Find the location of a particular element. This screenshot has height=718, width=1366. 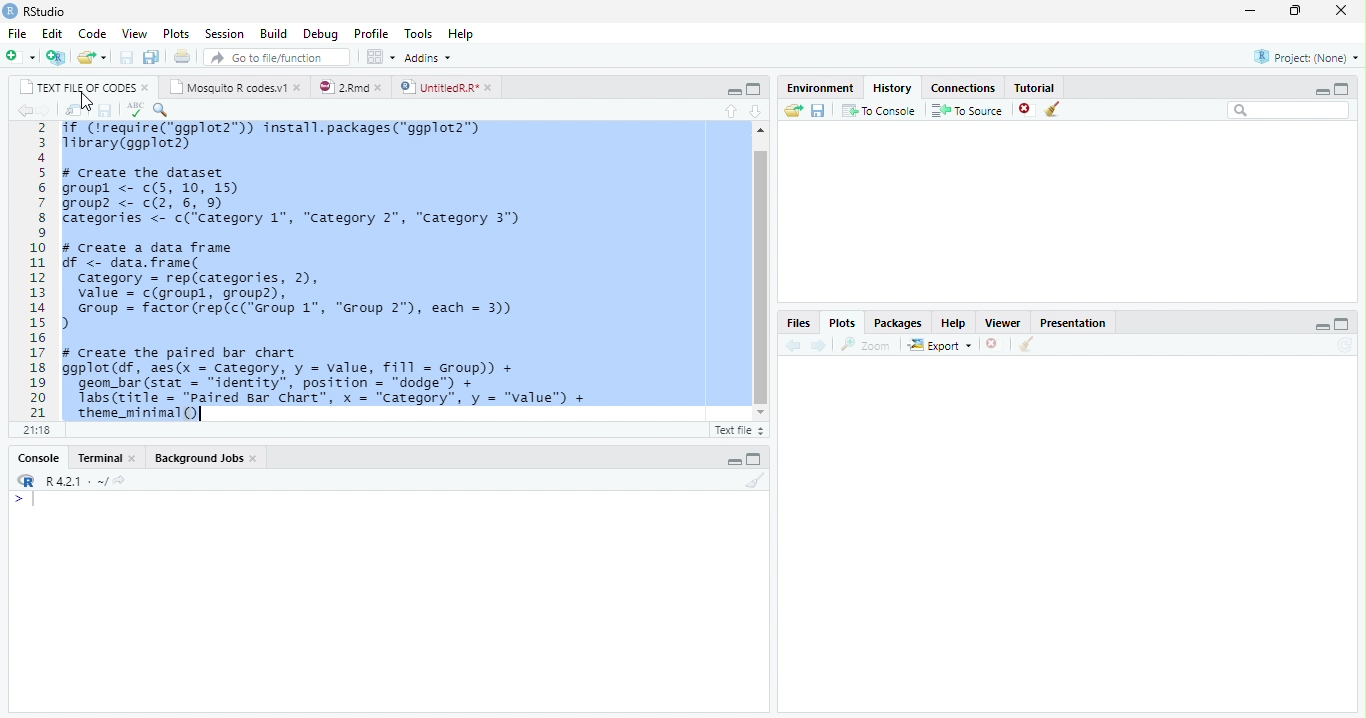

print current file is located at coordinates (185, 57).